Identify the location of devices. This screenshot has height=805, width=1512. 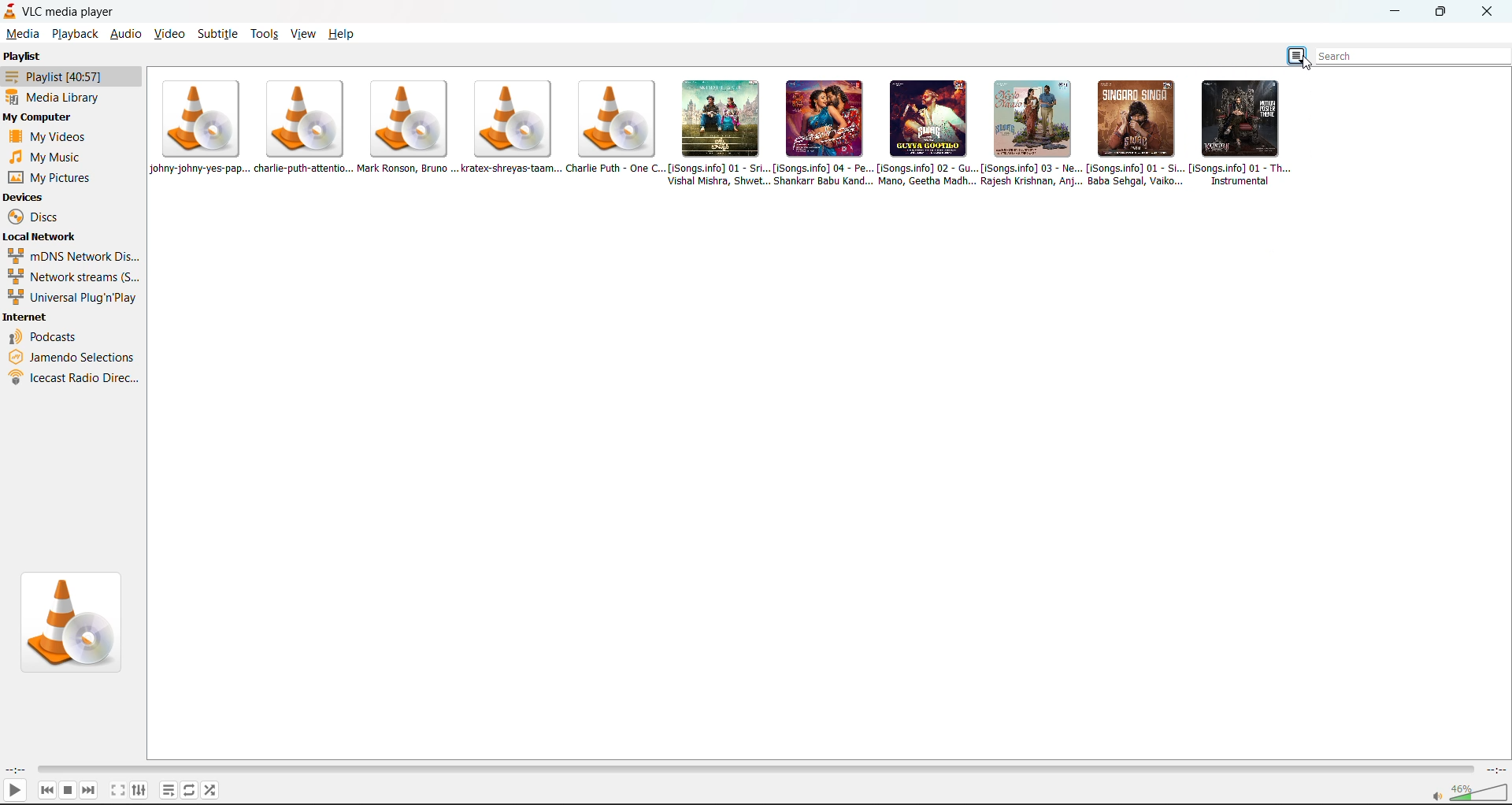
(24, 198).